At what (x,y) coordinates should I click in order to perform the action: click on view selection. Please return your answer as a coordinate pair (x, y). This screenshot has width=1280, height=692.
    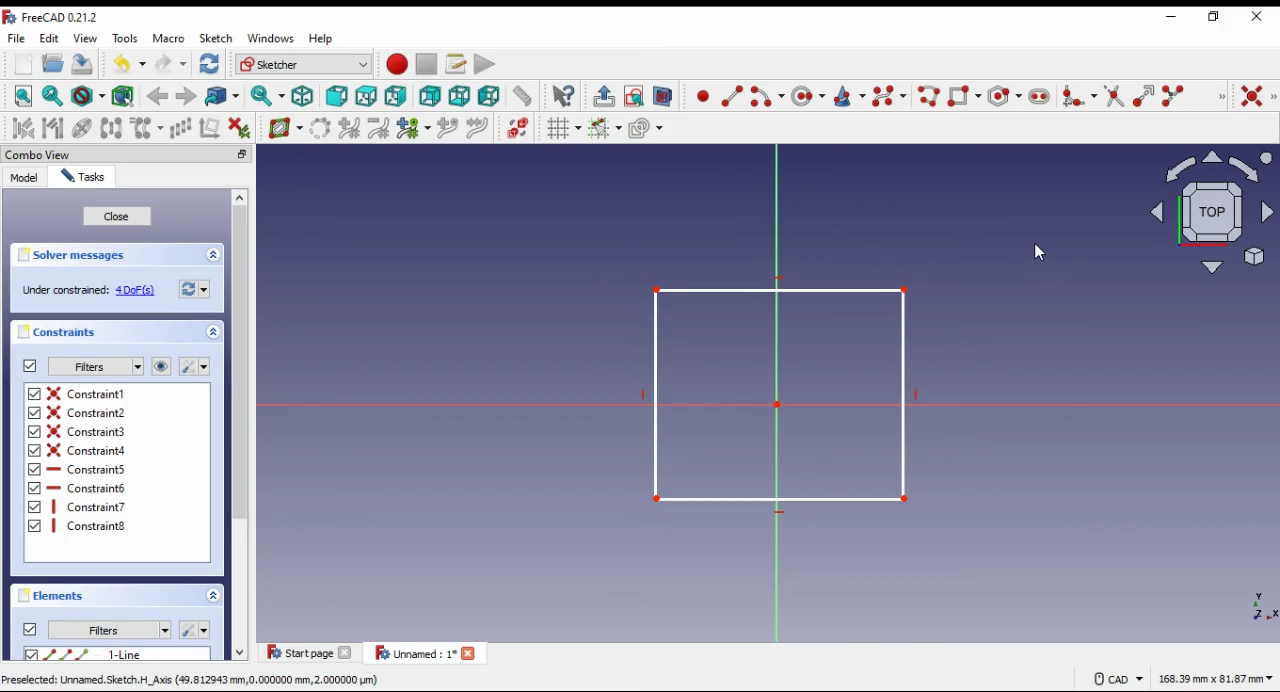
    Looking at the image, I should click on (662, 96).